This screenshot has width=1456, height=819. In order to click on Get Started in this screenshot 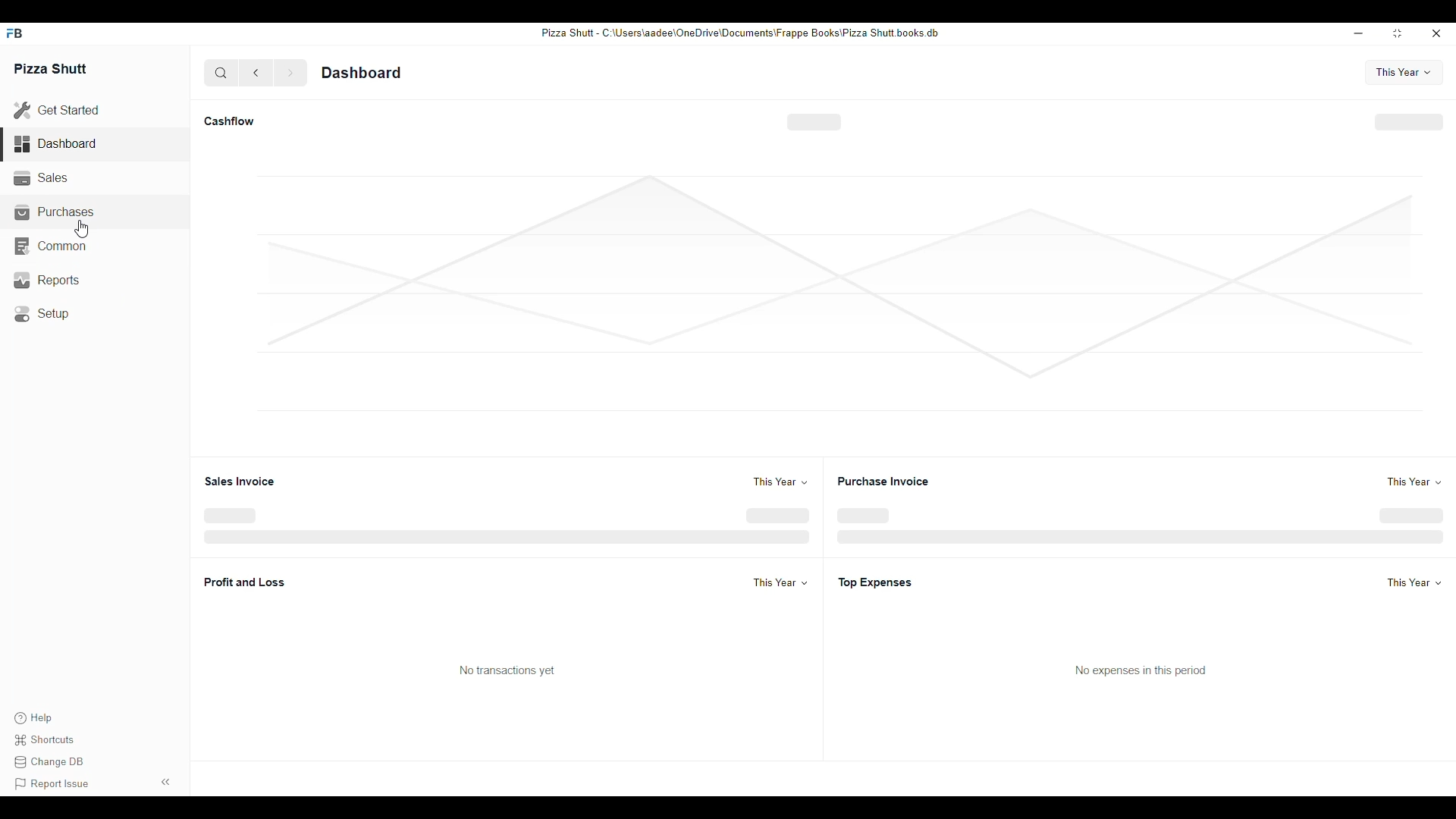, I will do `click(57, 111)`.